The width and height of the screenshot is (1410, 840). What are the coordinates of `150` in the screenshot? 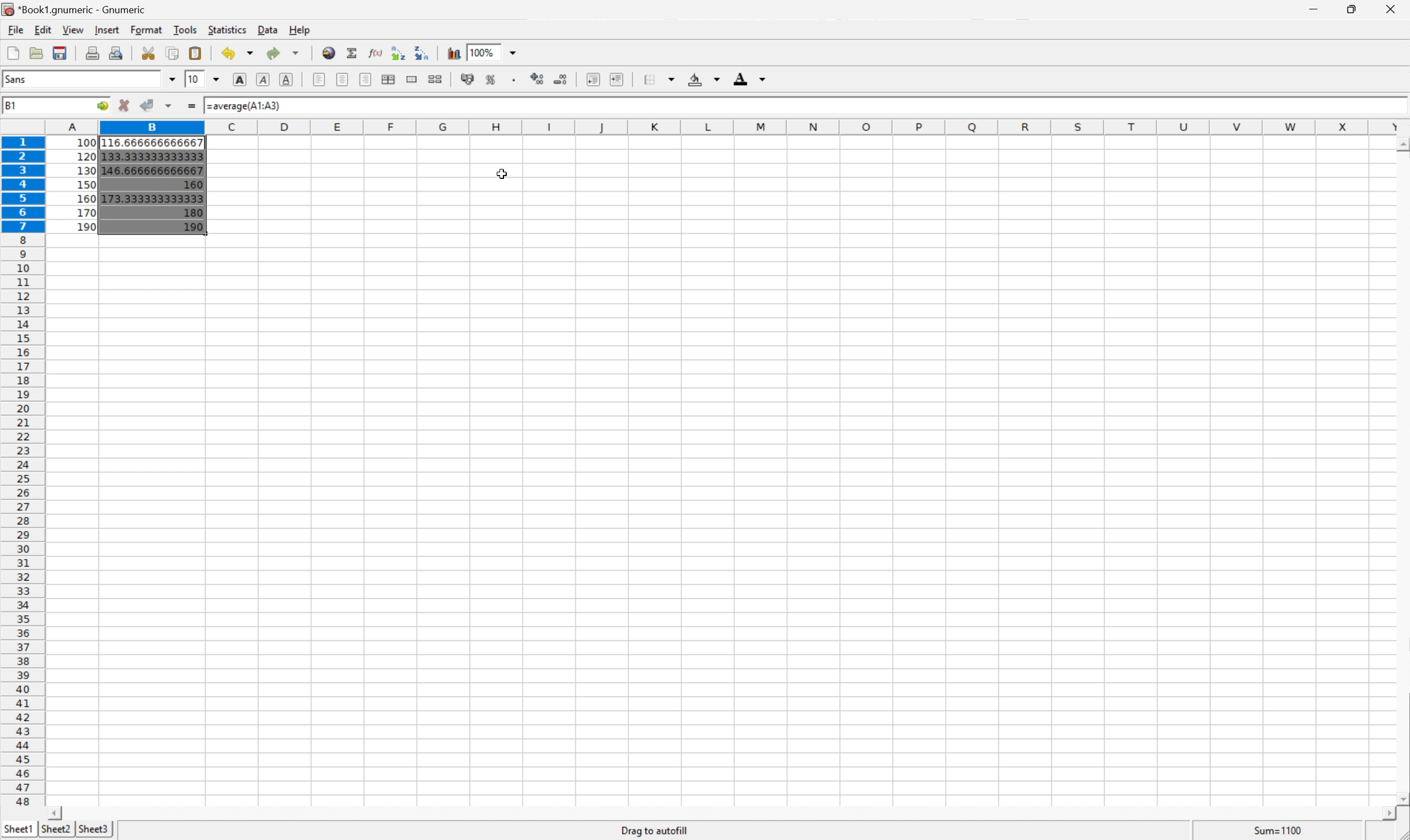 It's located at (86, 183).